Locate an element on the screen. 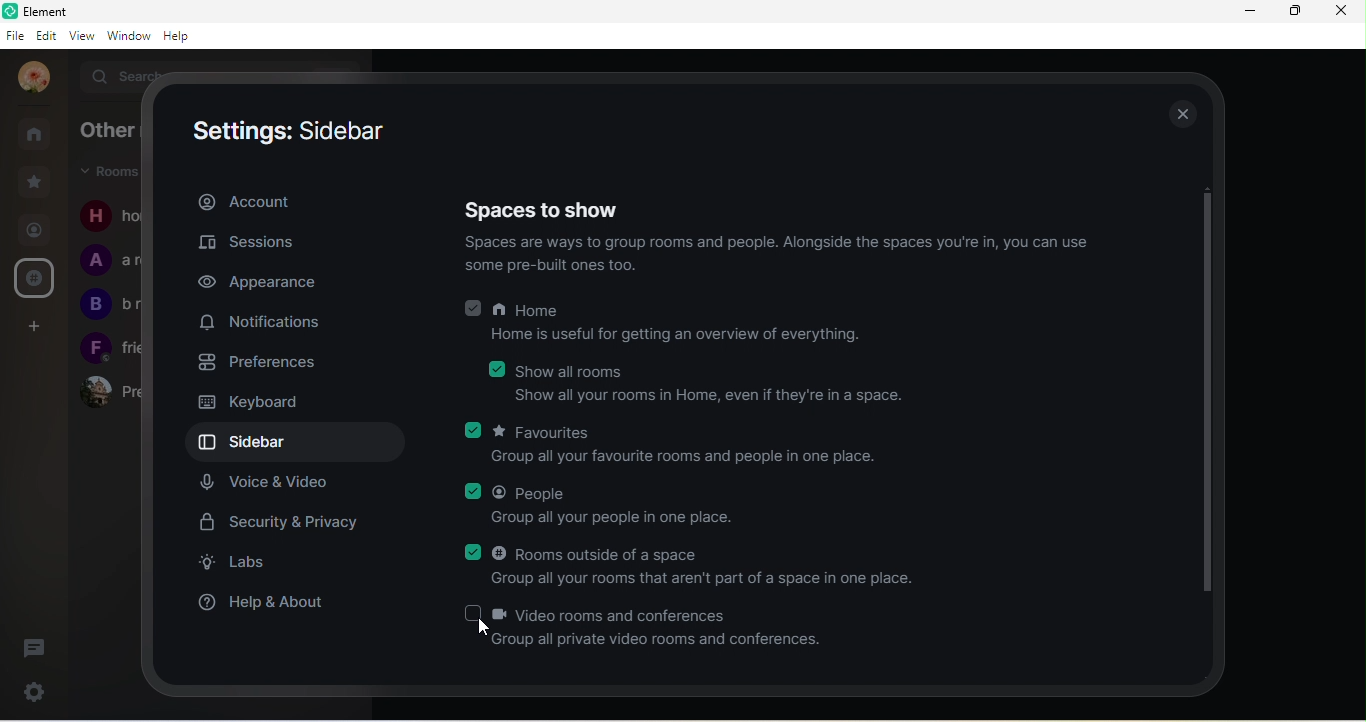 The width and height of the screenshot is (1366, 722). rooms outside of a space is located at coordinates (701, 567).